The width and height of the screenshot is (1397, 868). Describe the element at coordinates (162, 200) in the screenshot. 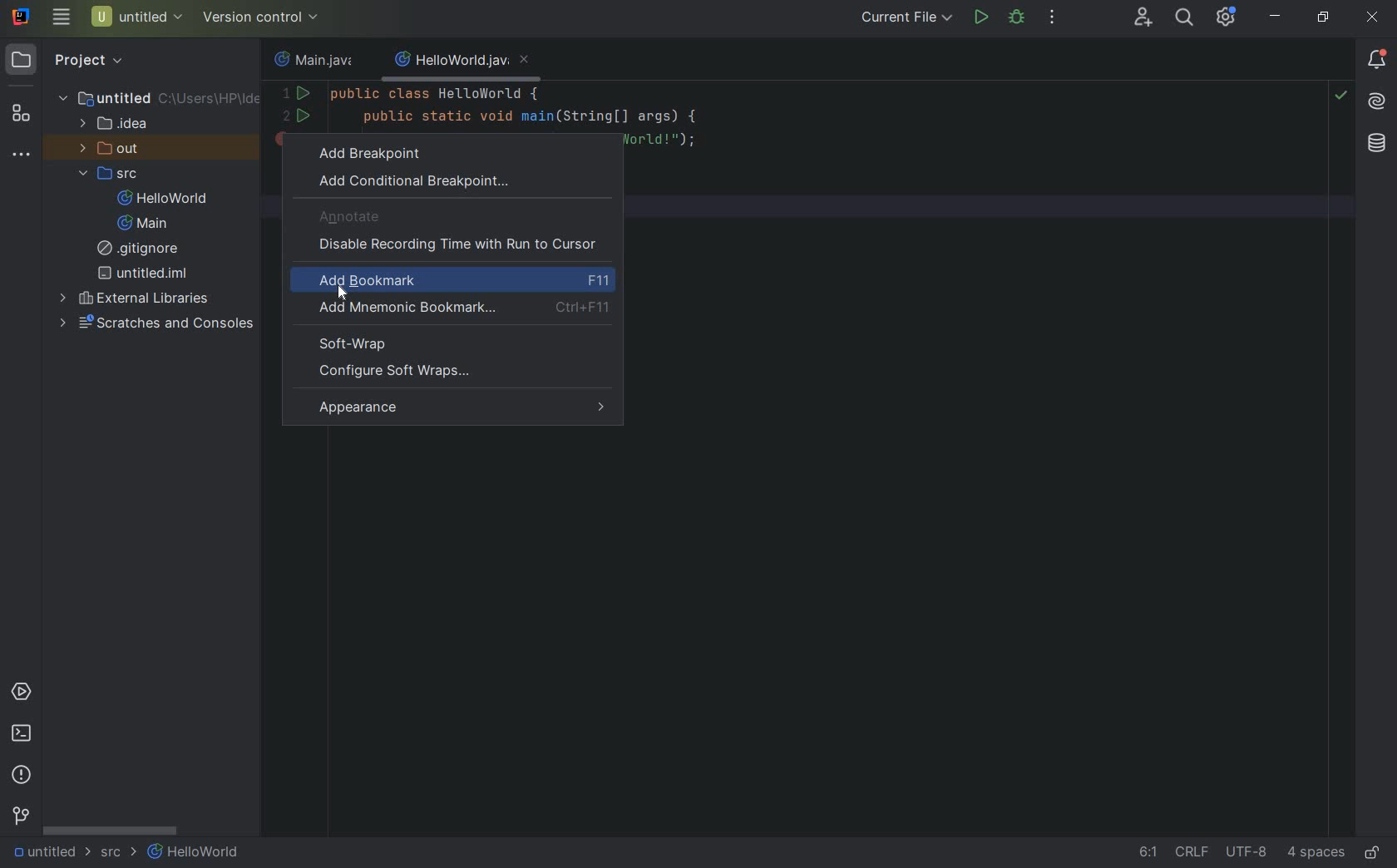

I see `helloworld` at that location.